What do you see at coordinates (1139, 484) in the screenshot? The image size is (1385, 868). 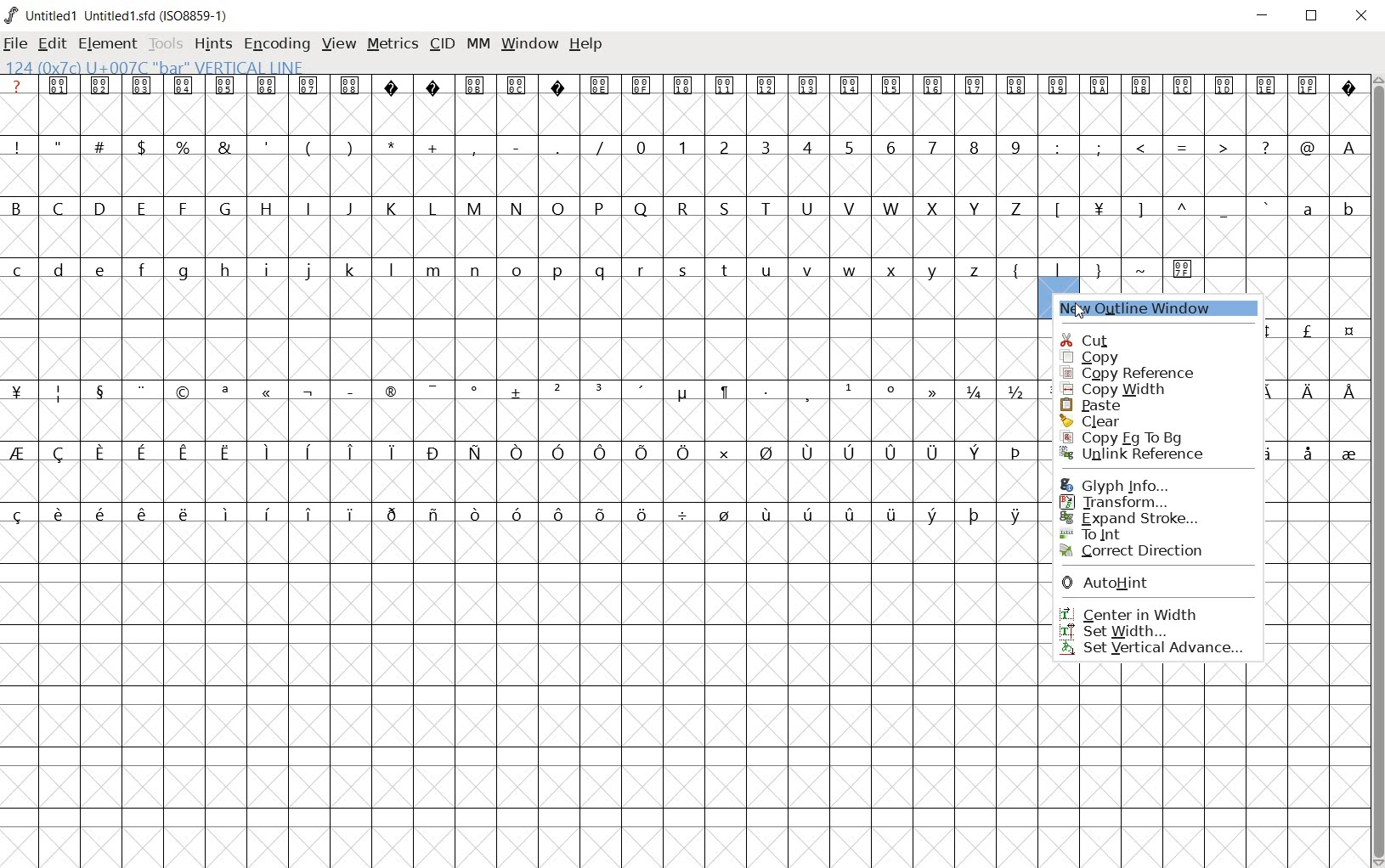 I see `Glyph Info` at bounding box center [1139, 484].